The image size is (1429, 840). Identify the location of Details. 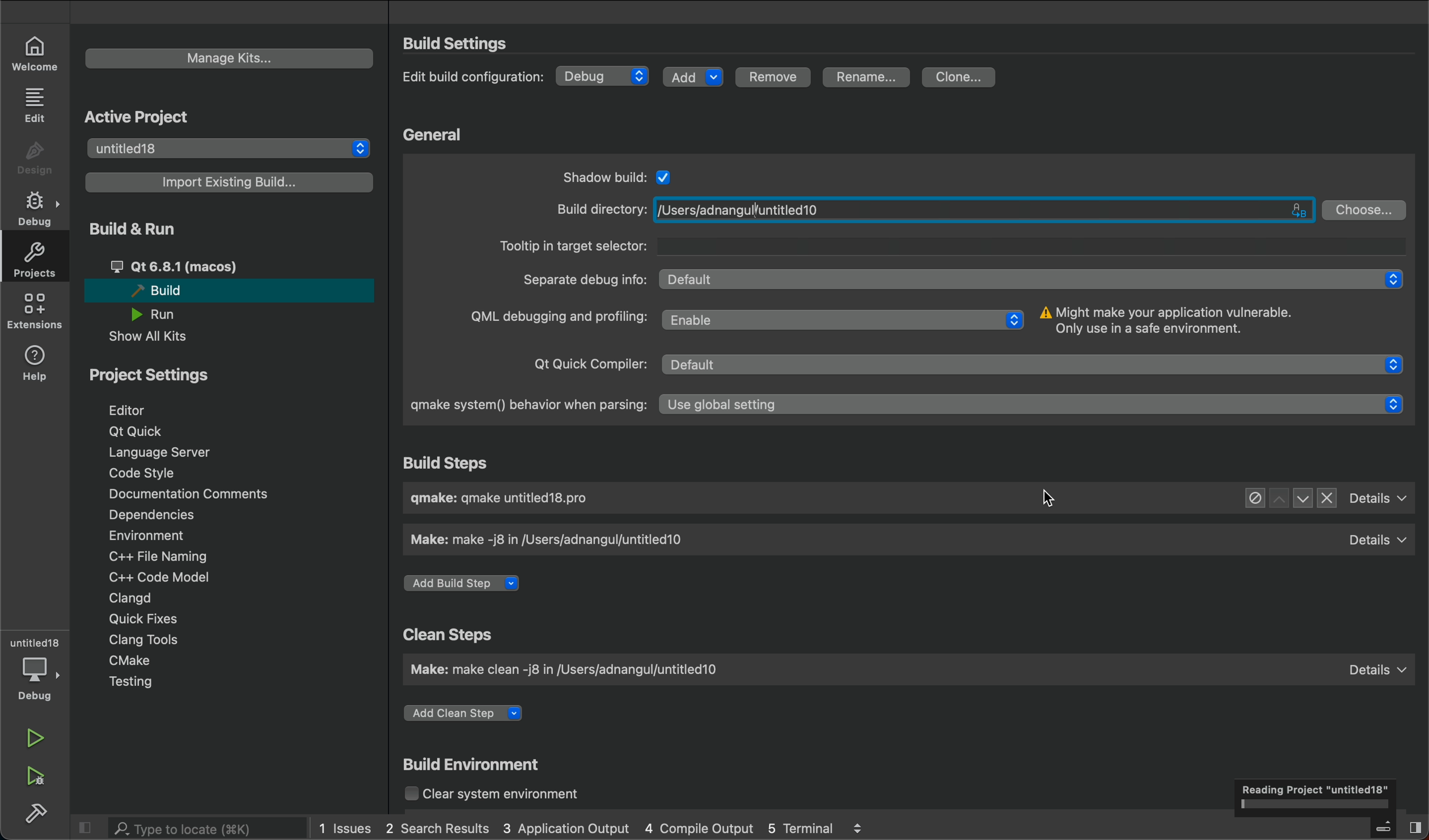
(1380, 498).